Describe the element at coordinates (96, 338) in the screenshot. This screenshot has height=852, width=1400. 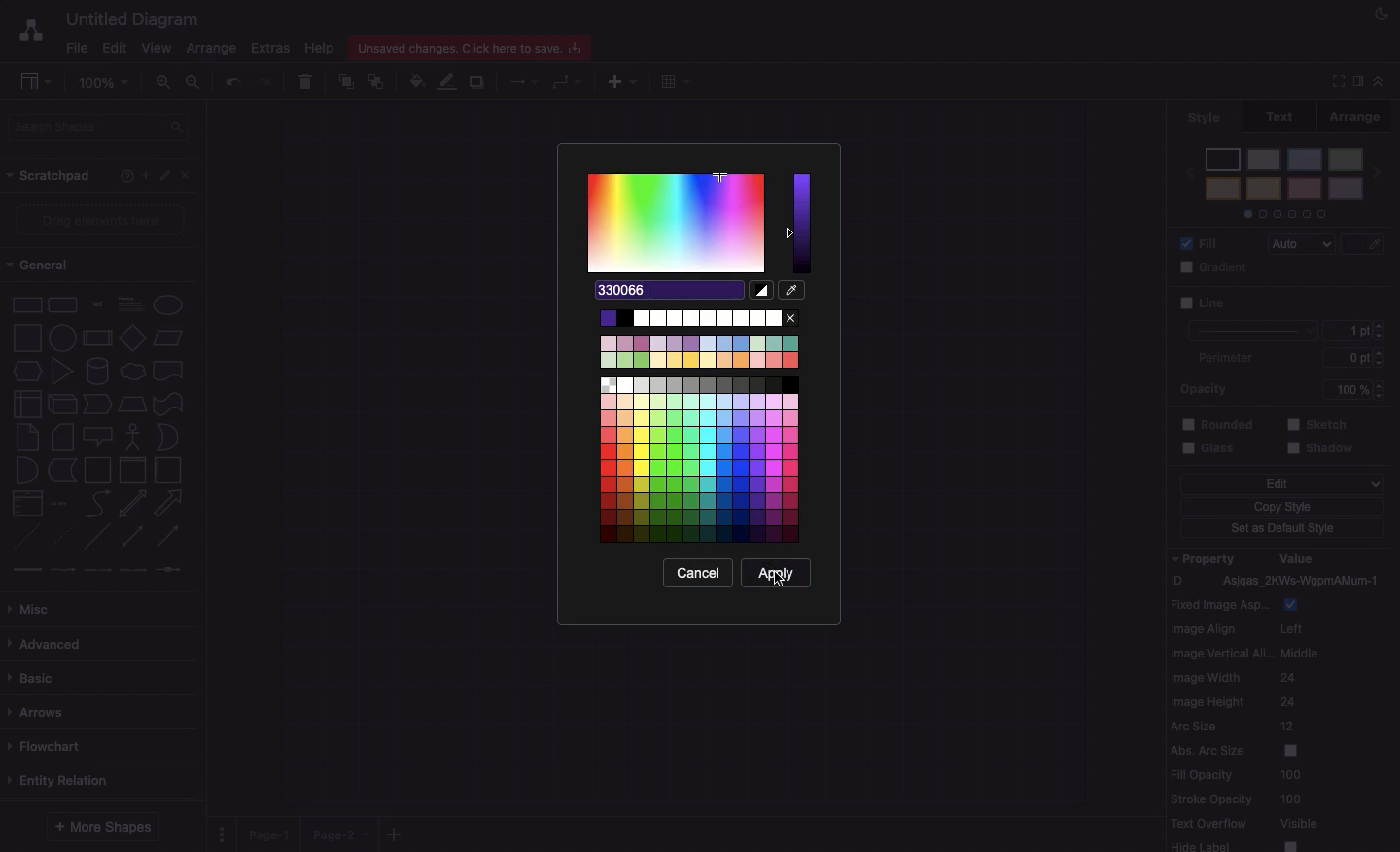
I see `process` at that location.